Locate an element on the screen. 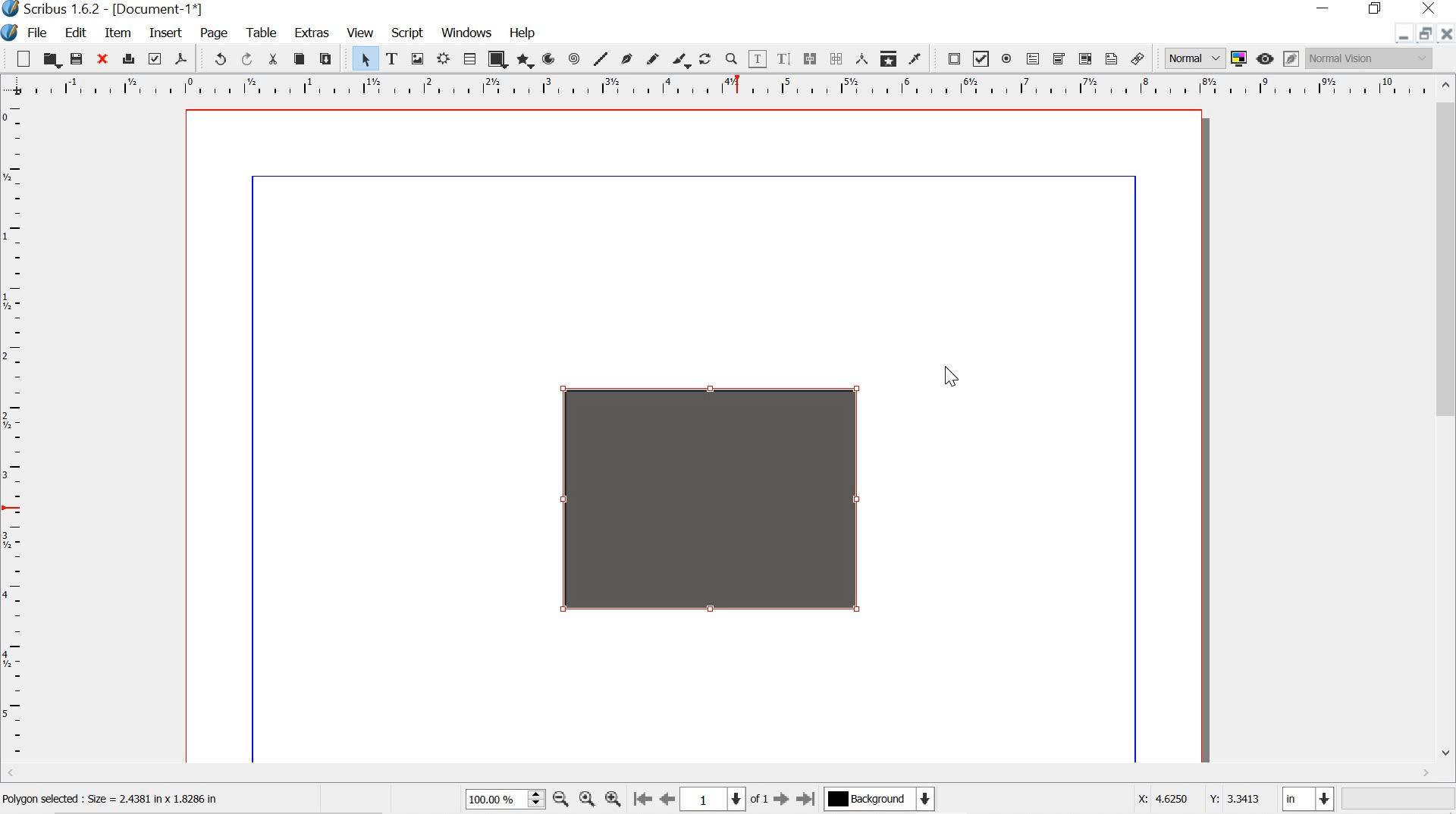 The image size is (1456, 814). zoom out is located at coordinates (560, 800).